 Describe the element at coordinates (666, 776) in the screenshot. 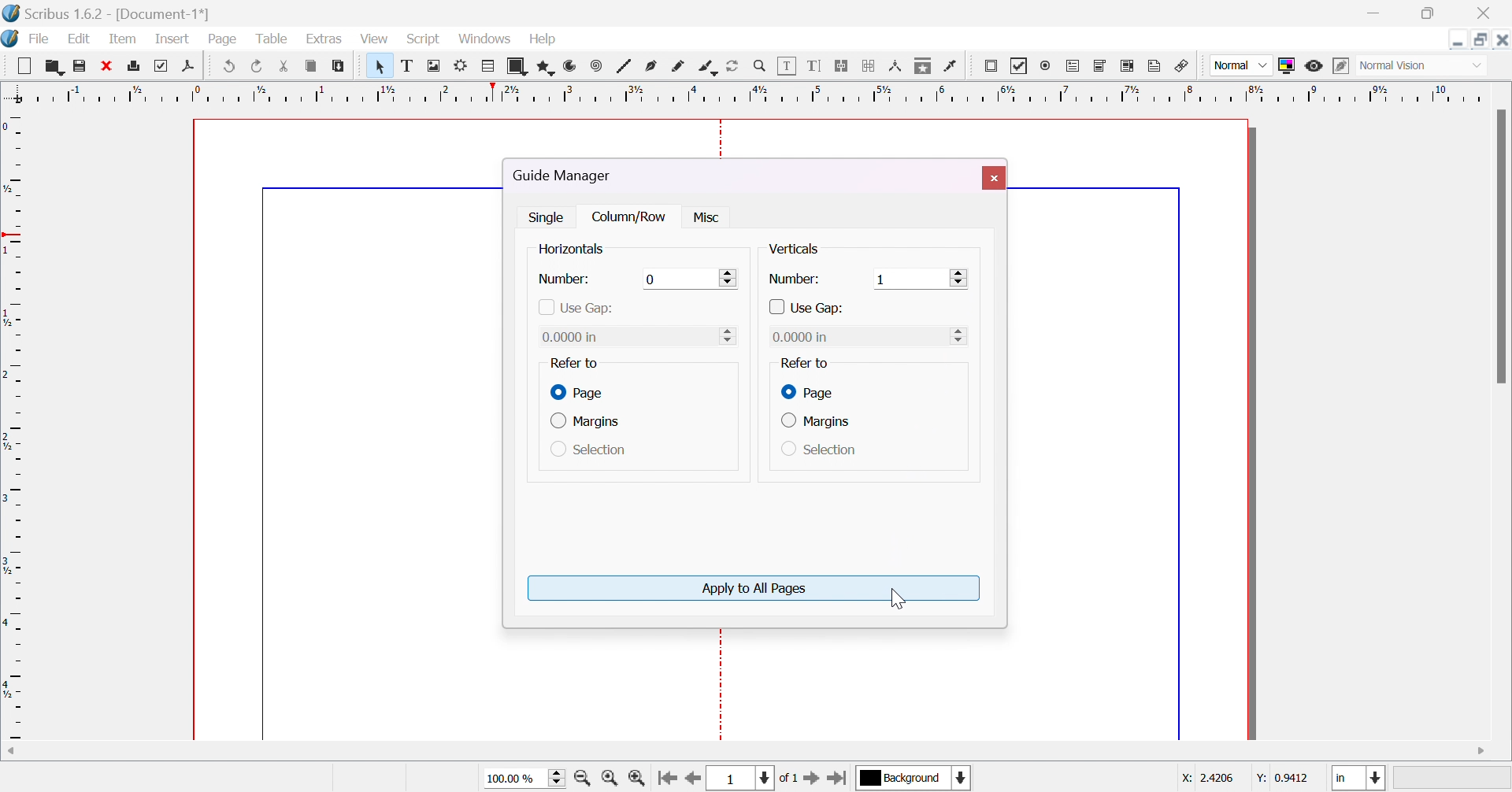

I see `go to first page` at that location.